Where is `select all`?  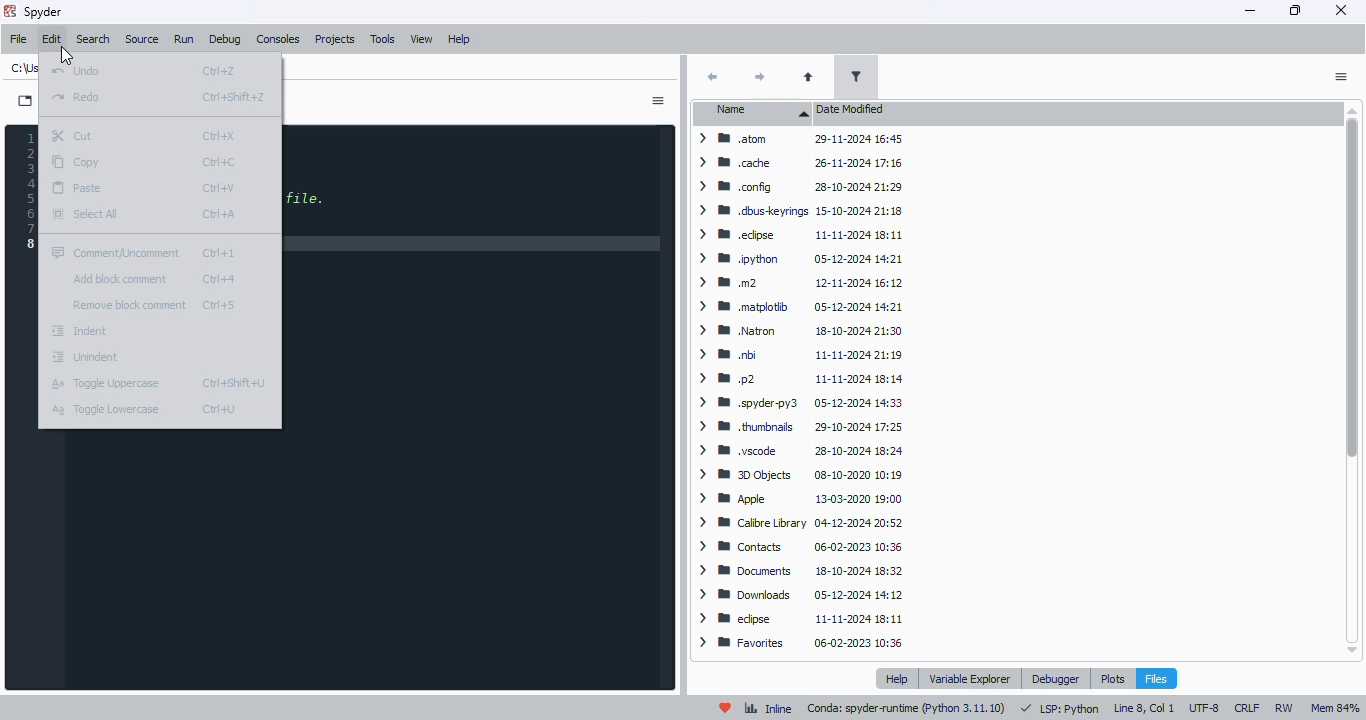 select all is located at coordinates (86, 213).